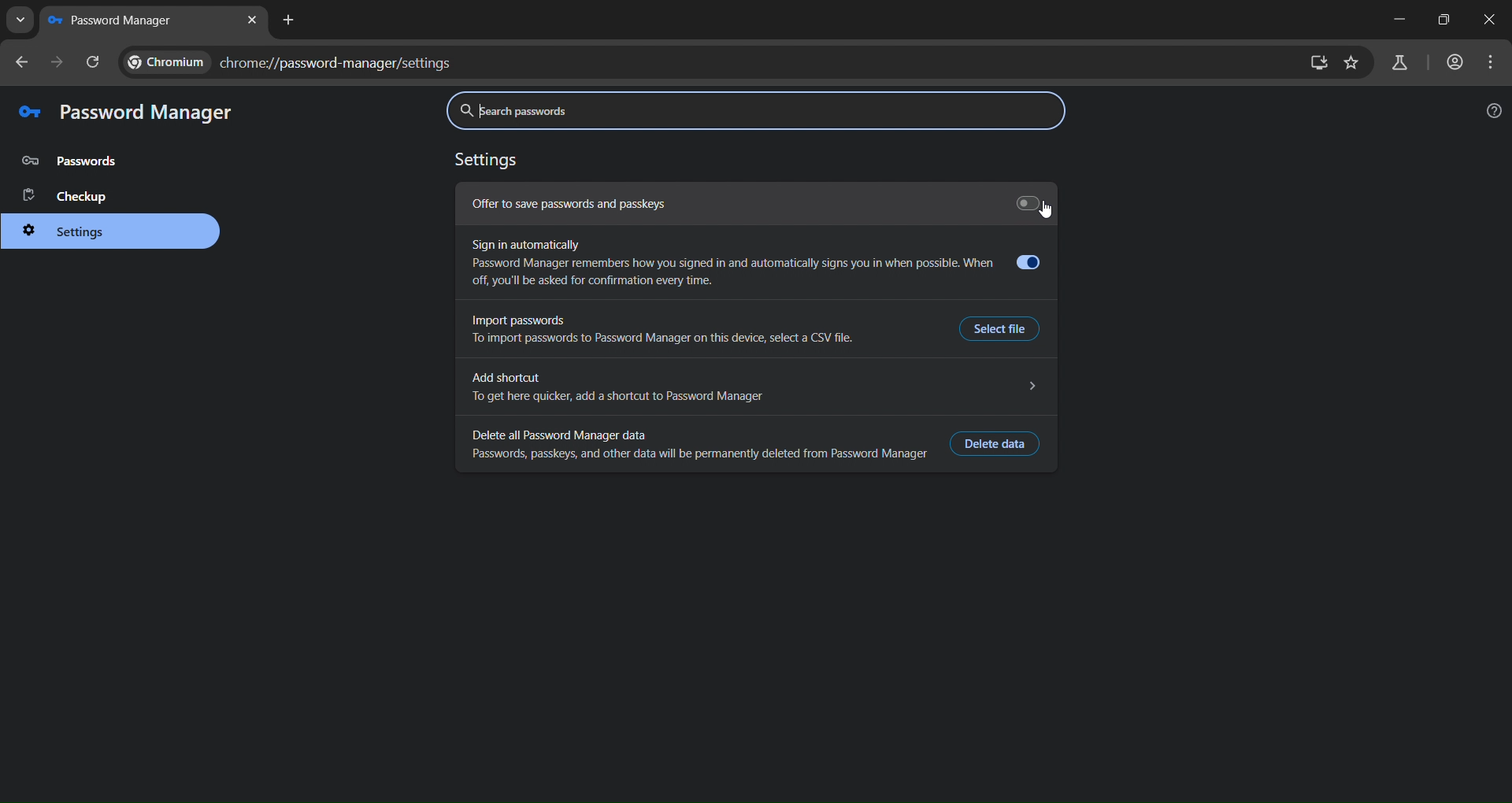 The height and width of the screenshot is (803, 1512). What do you see at coordinates (21, 62) in the screenshot?
I see `go back one page` at bounding box center [21, 62].